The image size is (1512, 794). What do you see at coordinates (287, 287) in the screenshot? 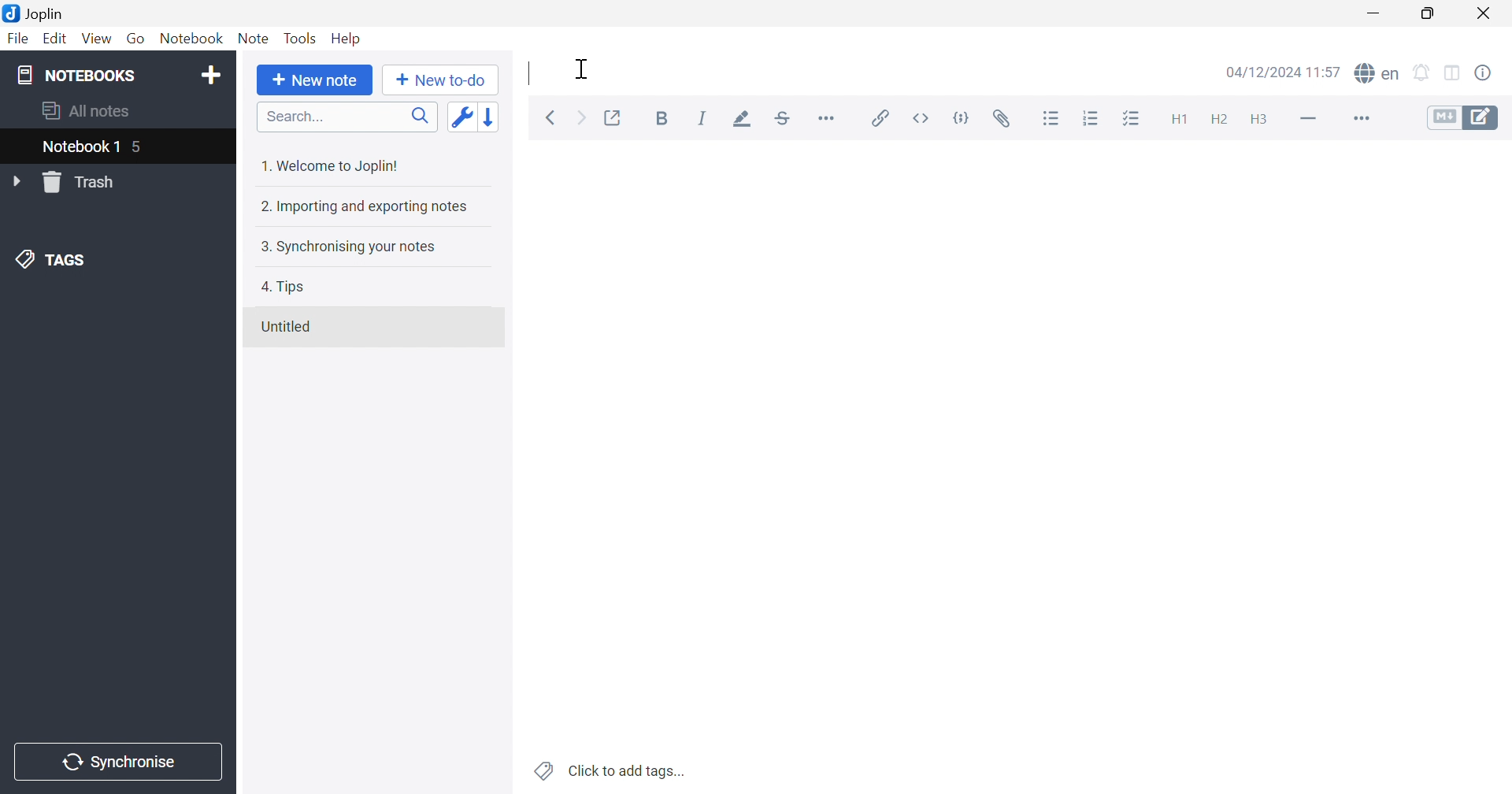
I see `4. Tips` at bounding box center [287, 287].